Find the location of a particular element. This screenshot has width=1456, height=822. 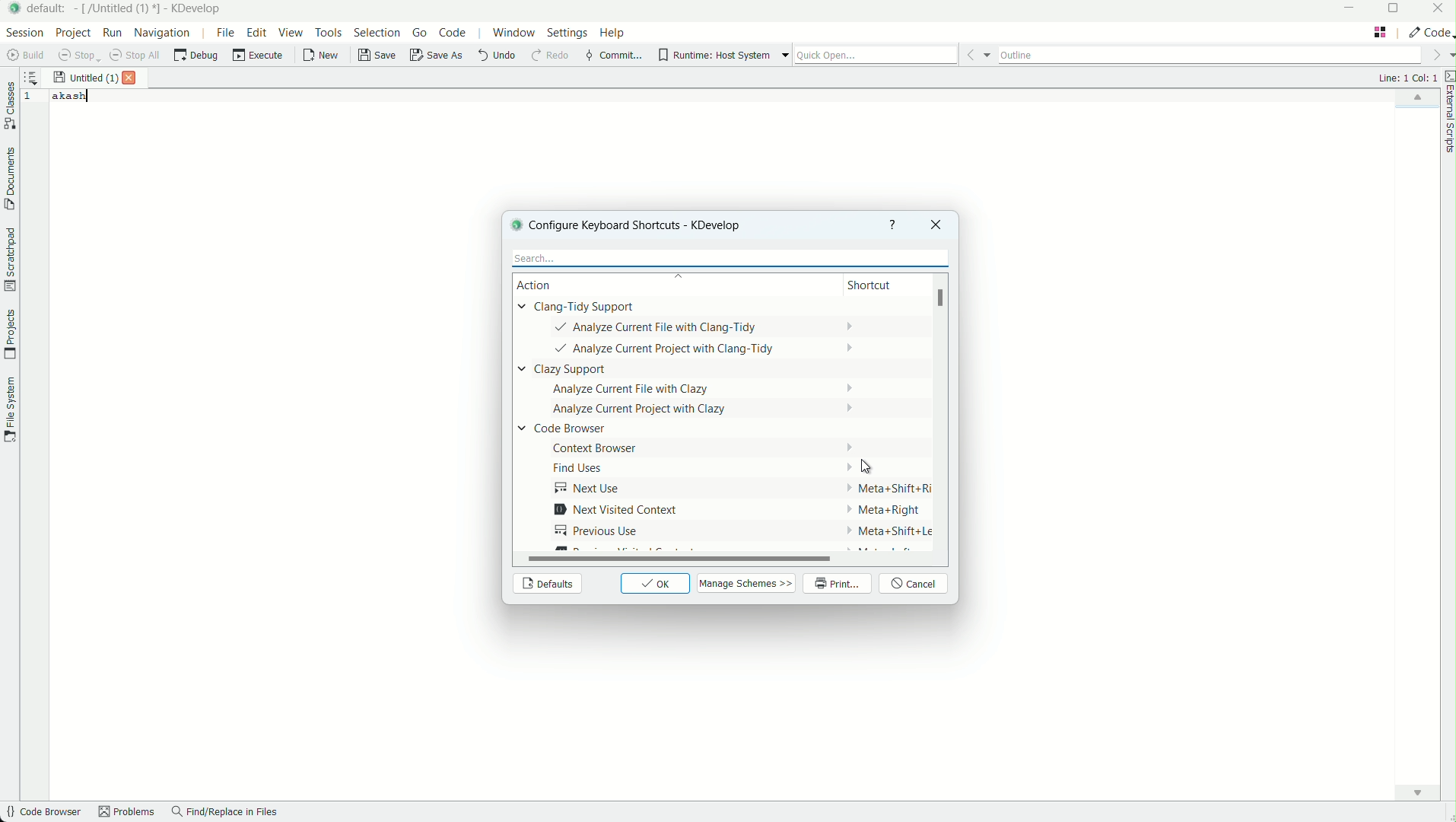

find/replace in files is located at coordinates (225, 813).